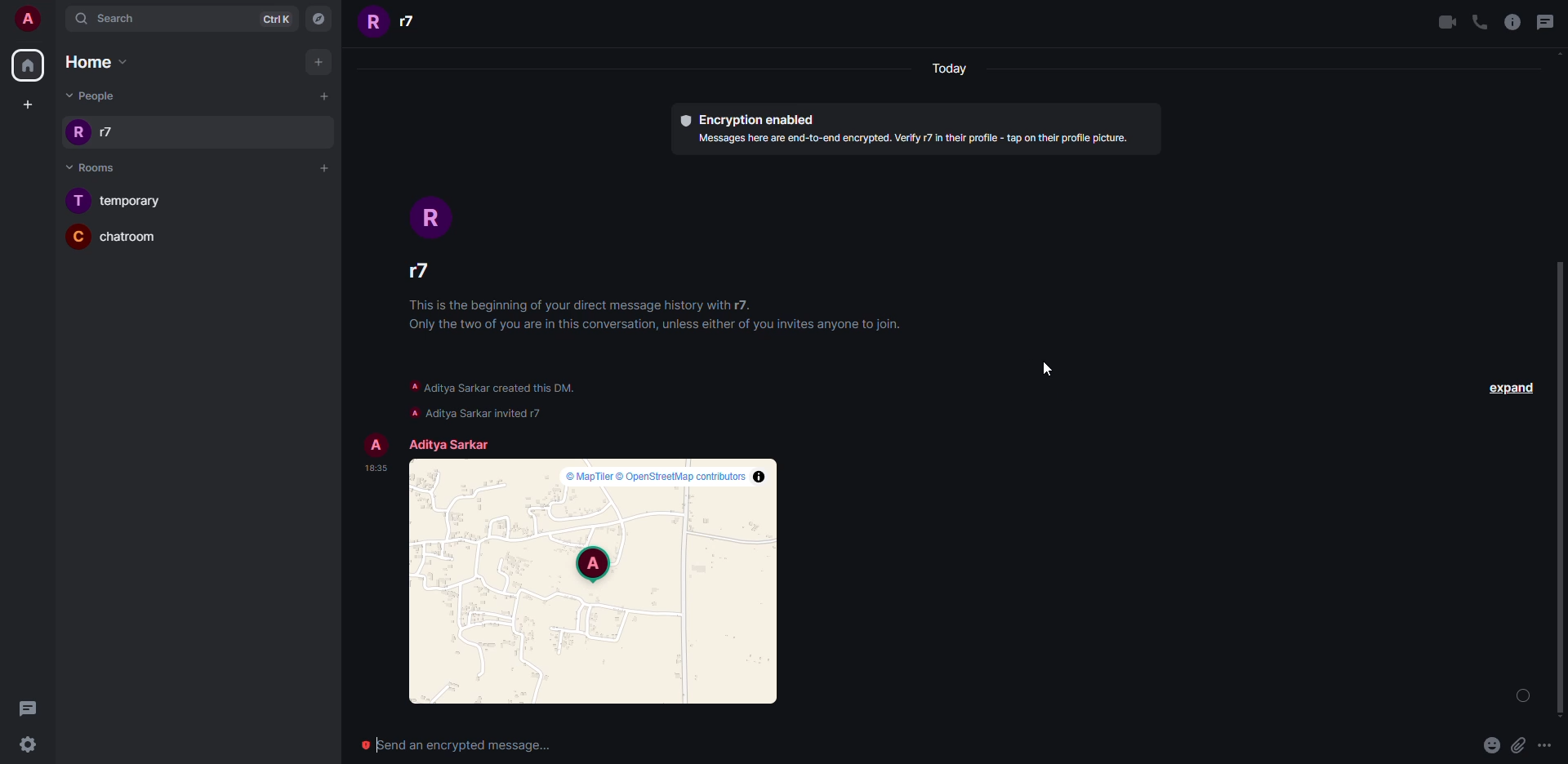  I want to click on today, so click(950, 69).